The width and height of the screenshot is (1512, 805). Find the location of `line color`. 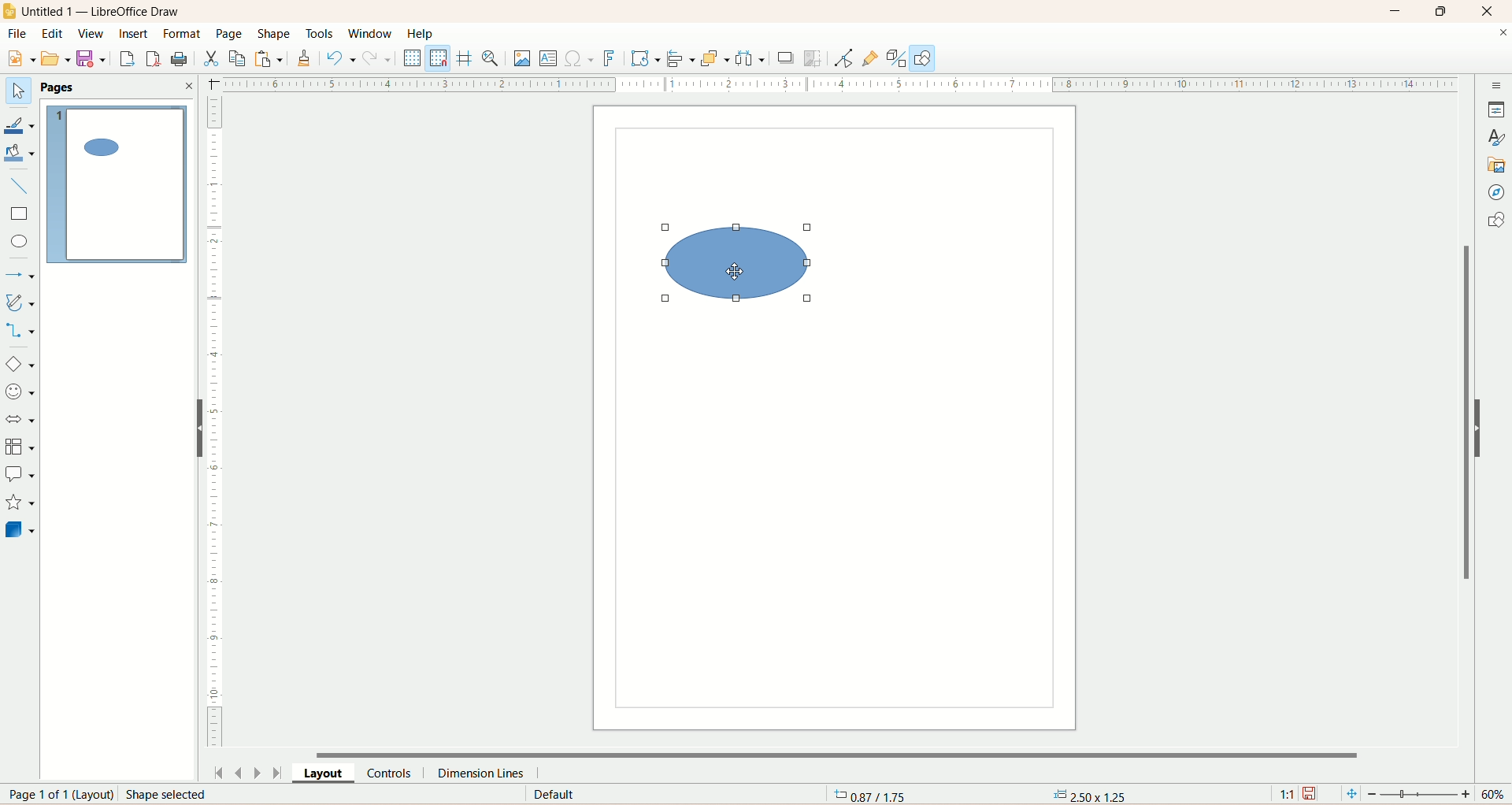

line color is located at coordinates (21, 122).